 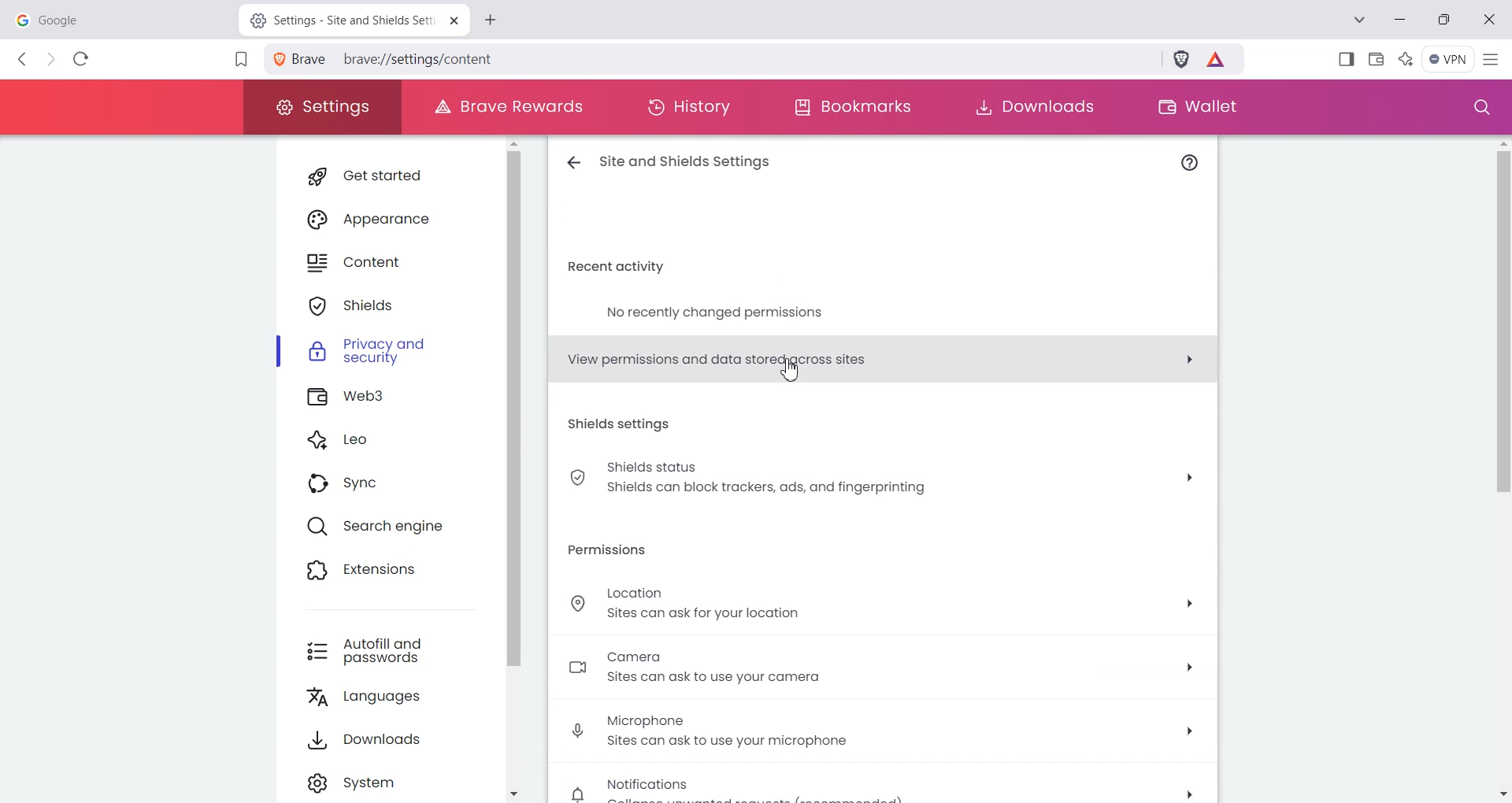 What do you see at coordinates (1181, 61) in the screenshot?
I see `Brave Shield` at bounding box center [1181, 61].